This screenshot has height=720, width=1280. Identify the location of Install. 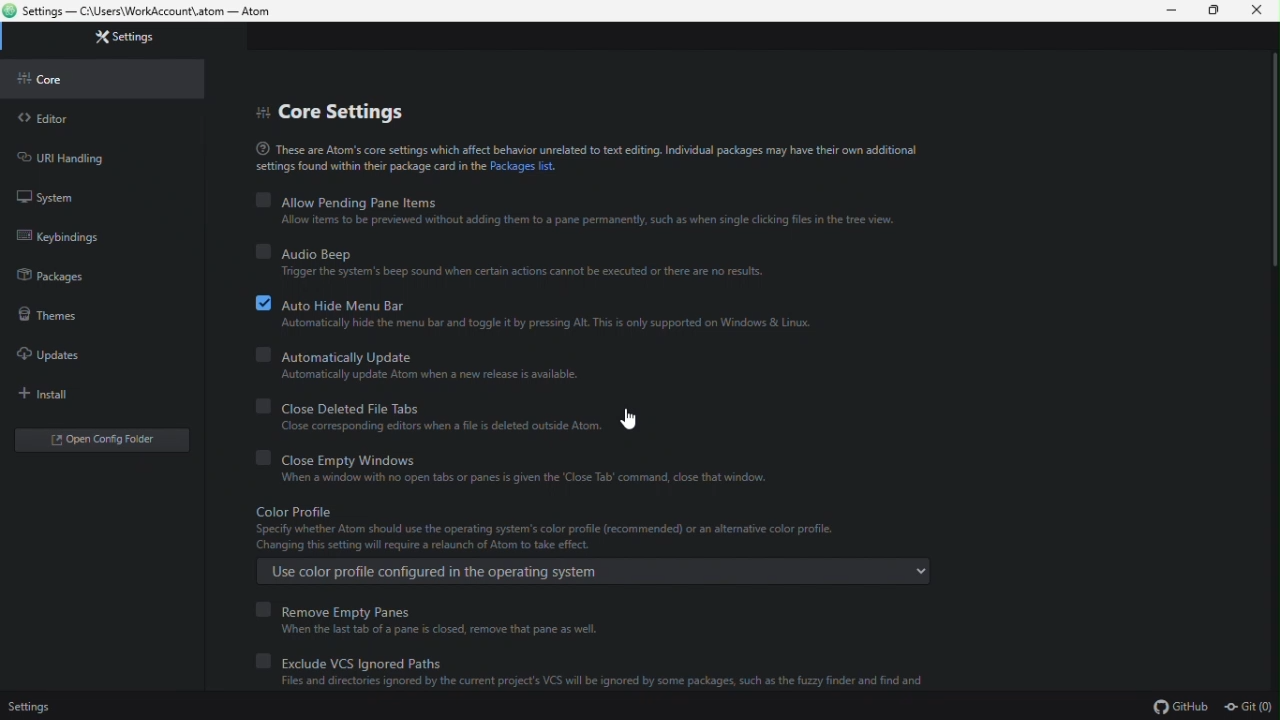
(94, 394).